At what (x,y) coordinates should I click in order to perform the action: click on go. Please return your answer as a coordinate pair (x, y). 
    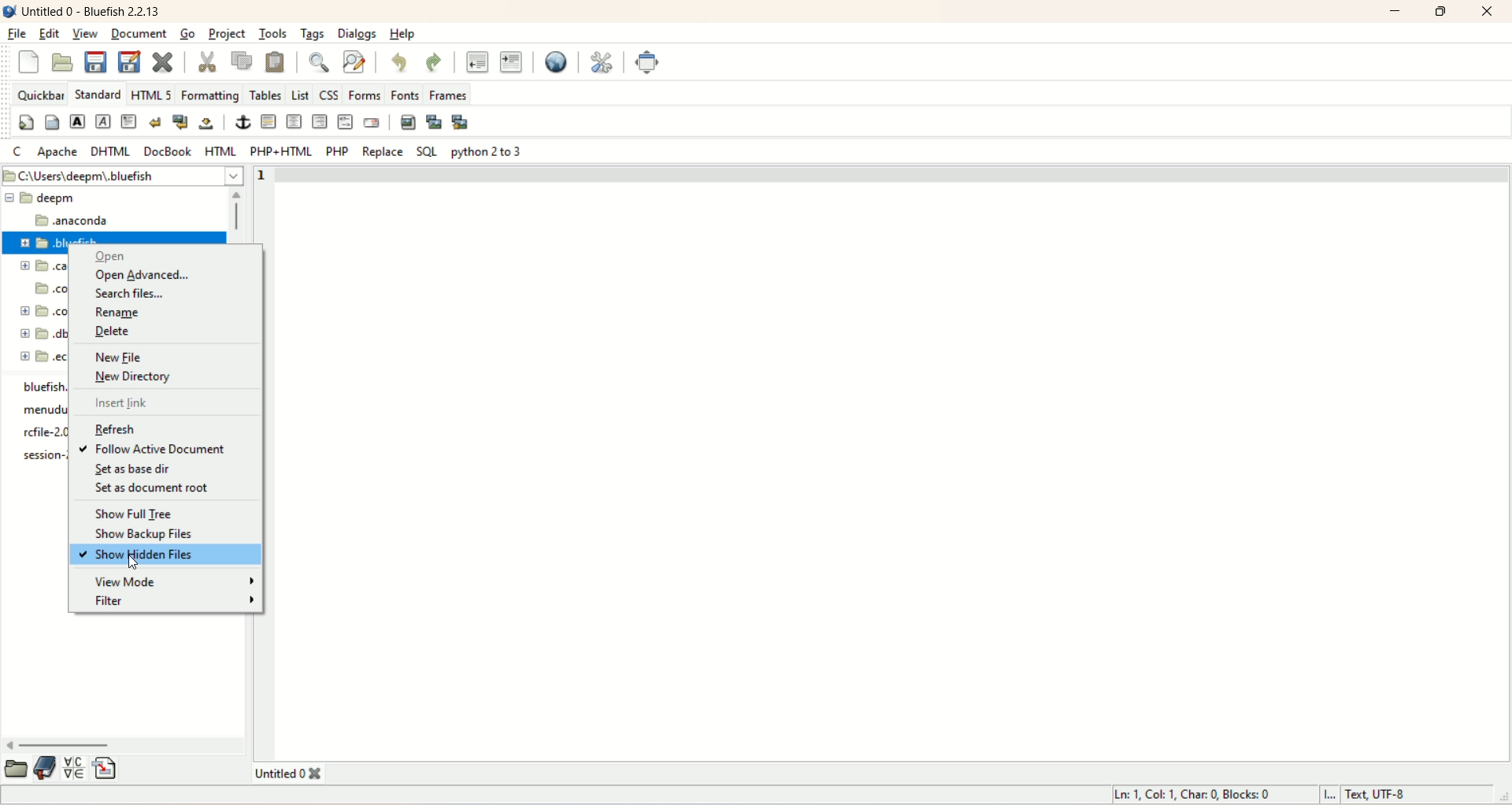
    Looking at the image, I should click on (187, 35).